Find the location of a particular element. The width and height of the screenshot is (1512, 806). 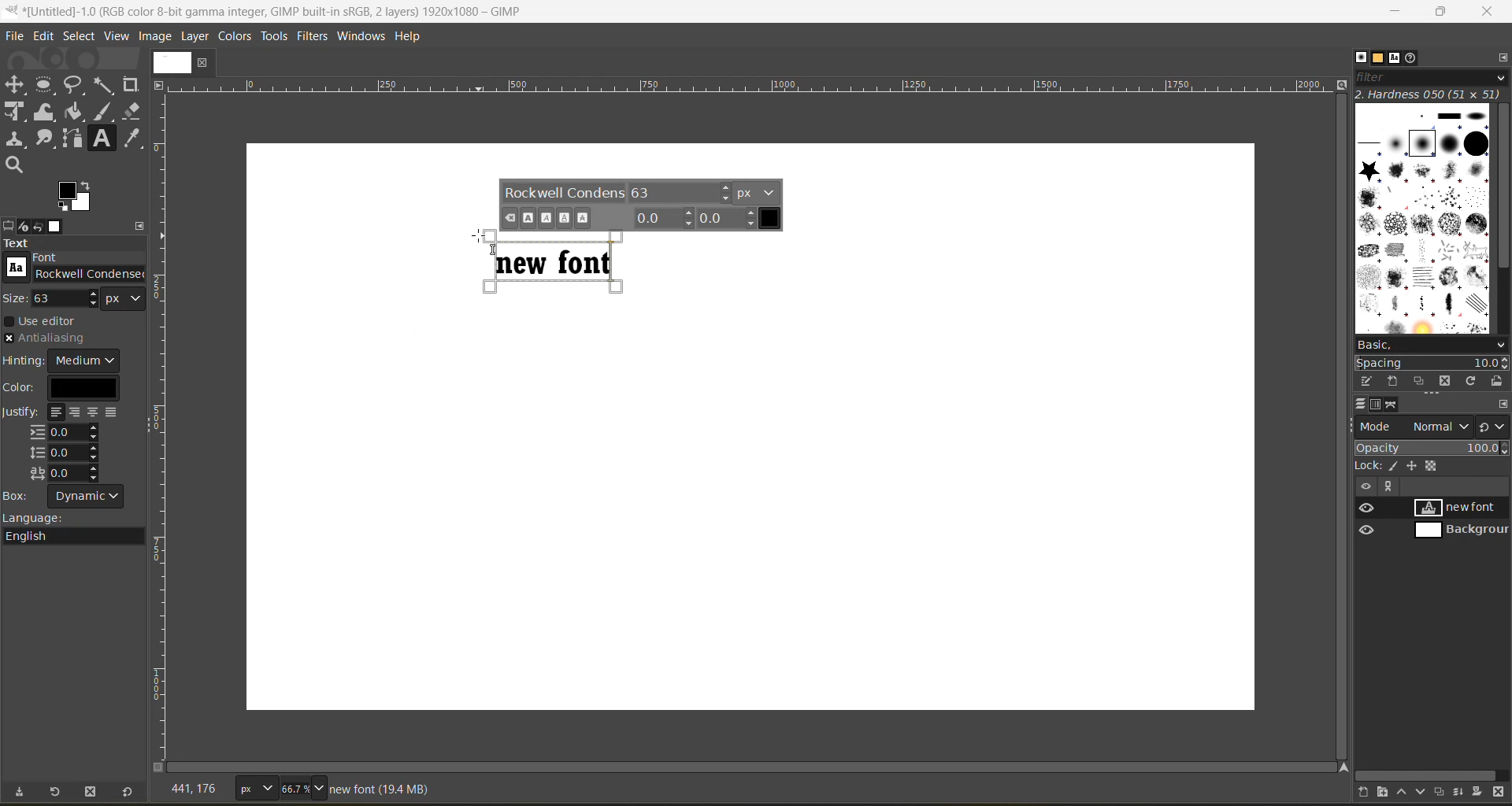

configure is located at coordinates (143, 225).